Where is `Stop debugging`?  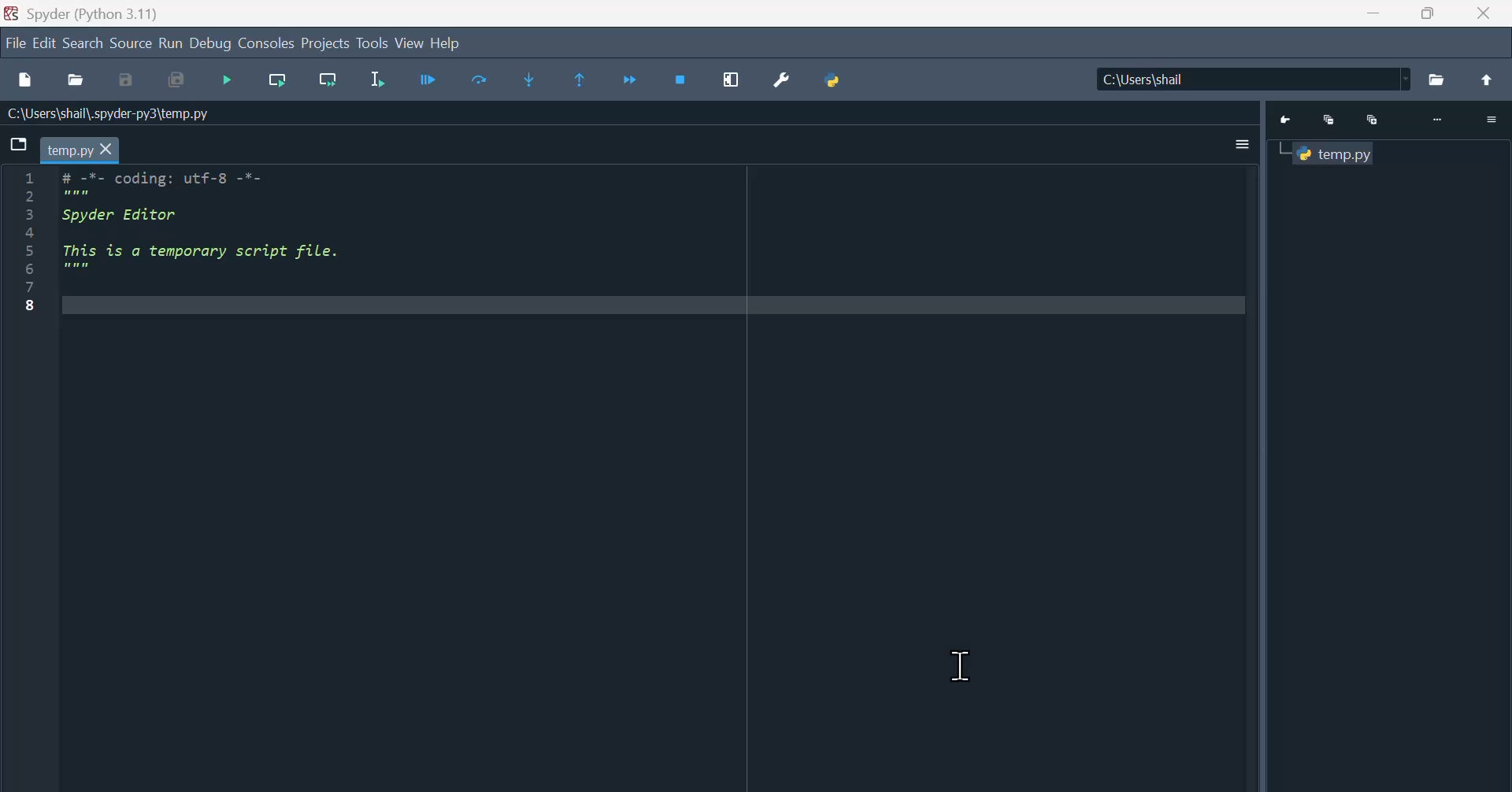
Stop debugging is located at coordinates (680, 80).